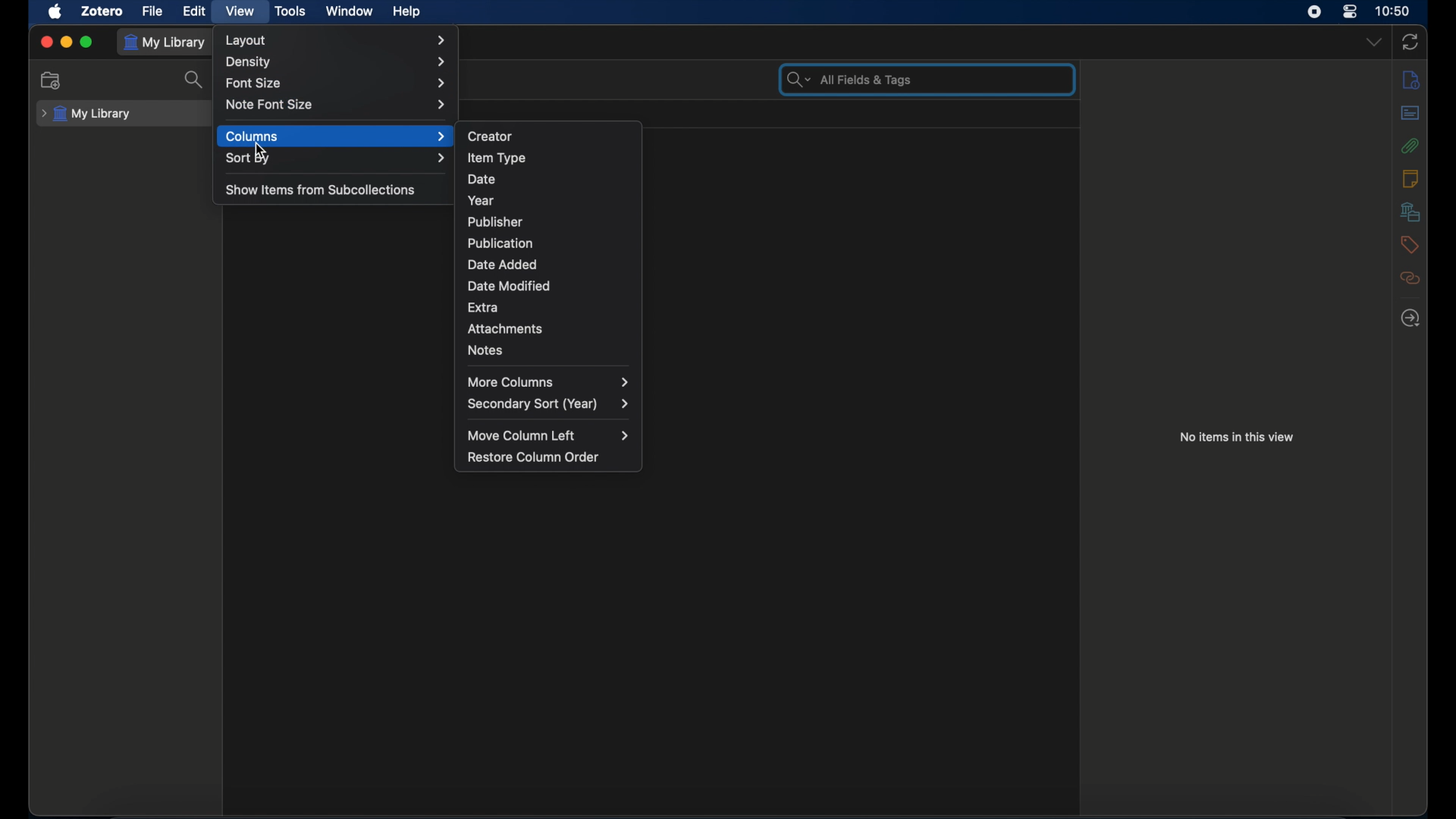  I want to click on related, so click(1411, 278).